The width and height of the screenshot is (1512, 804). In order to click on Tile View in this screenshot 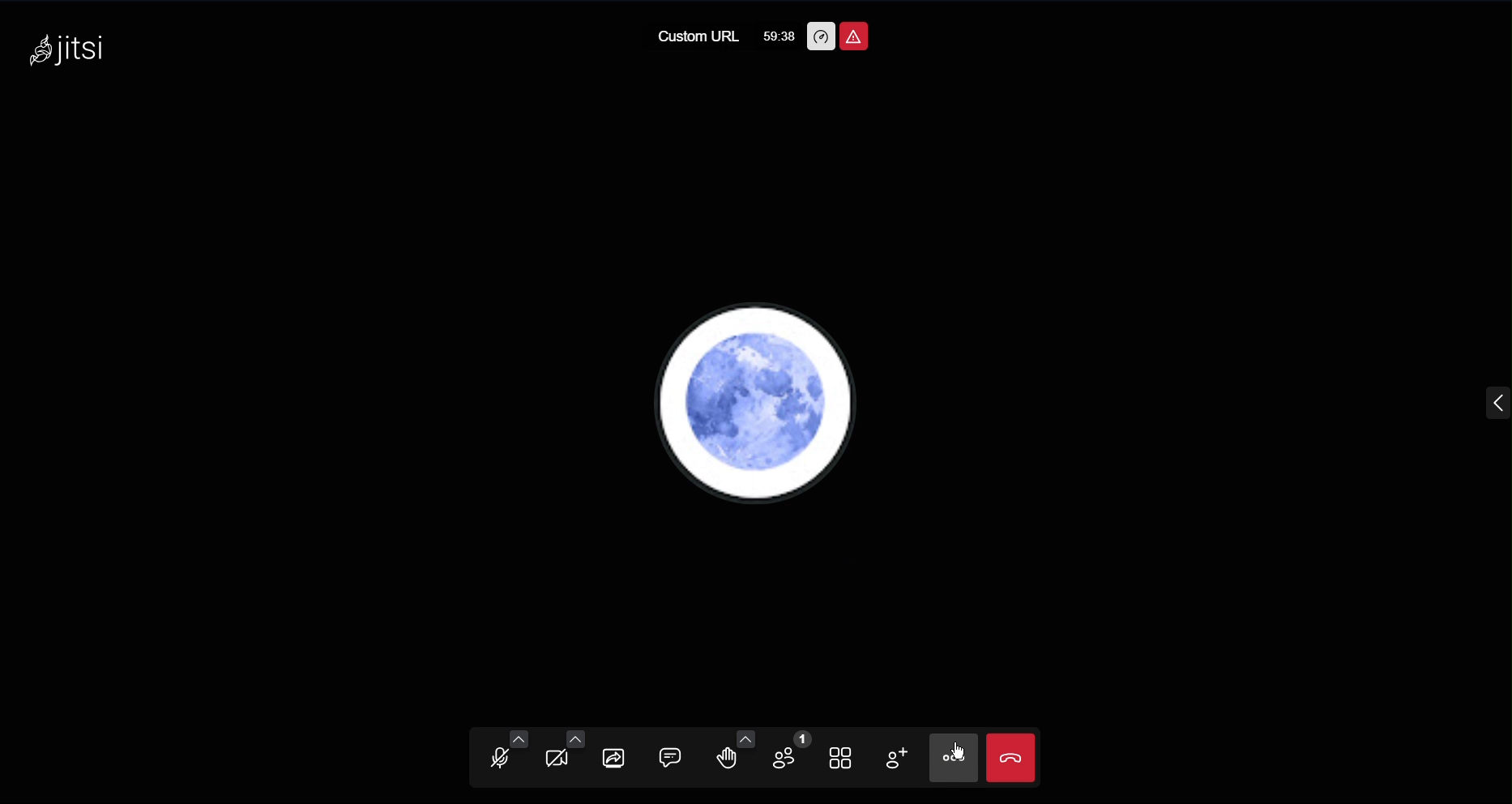, I will do `click(845, 755)`.